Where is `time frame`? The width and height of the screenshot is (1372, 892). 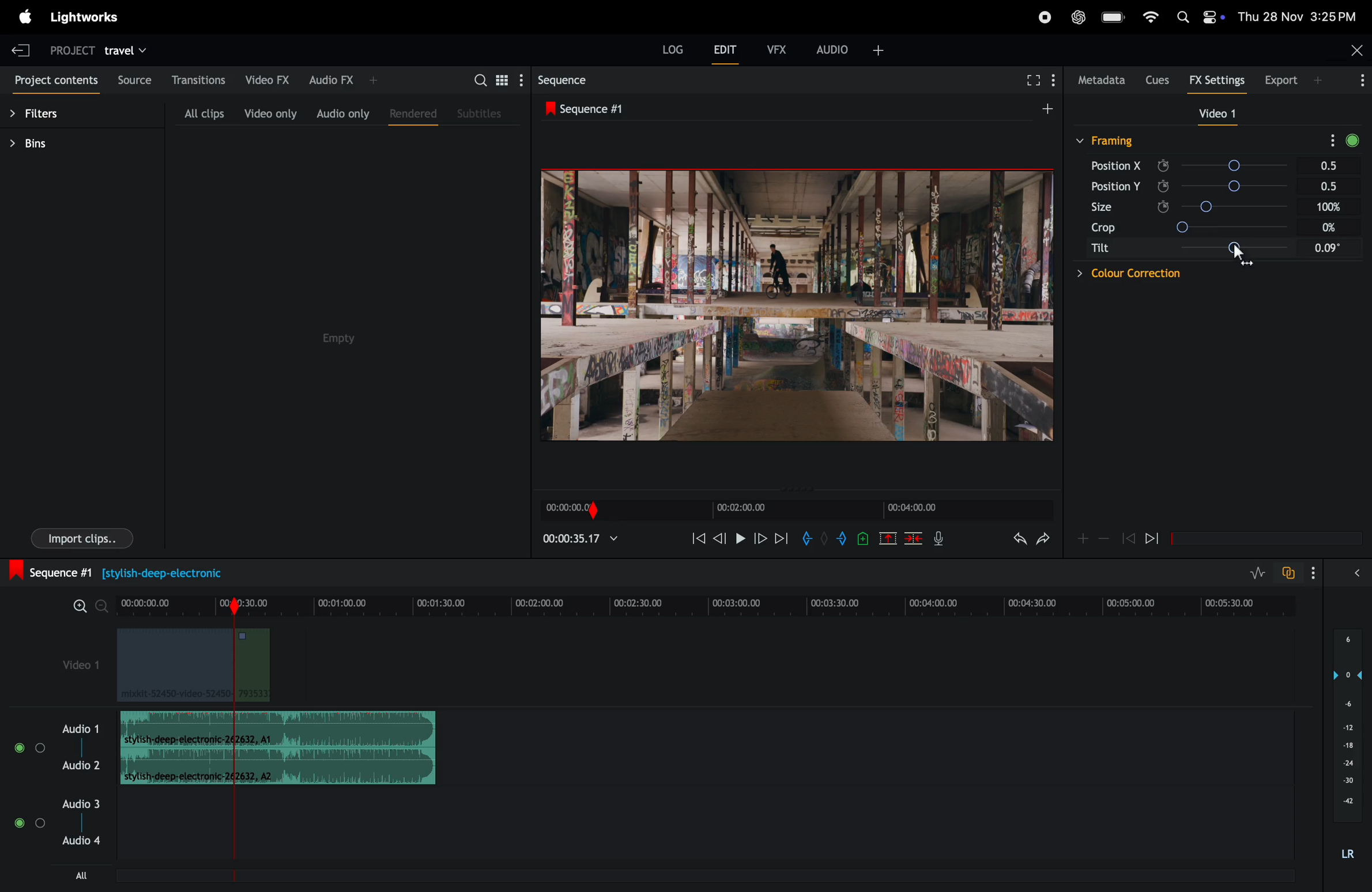 time frame is located at coordinates (710, 603).